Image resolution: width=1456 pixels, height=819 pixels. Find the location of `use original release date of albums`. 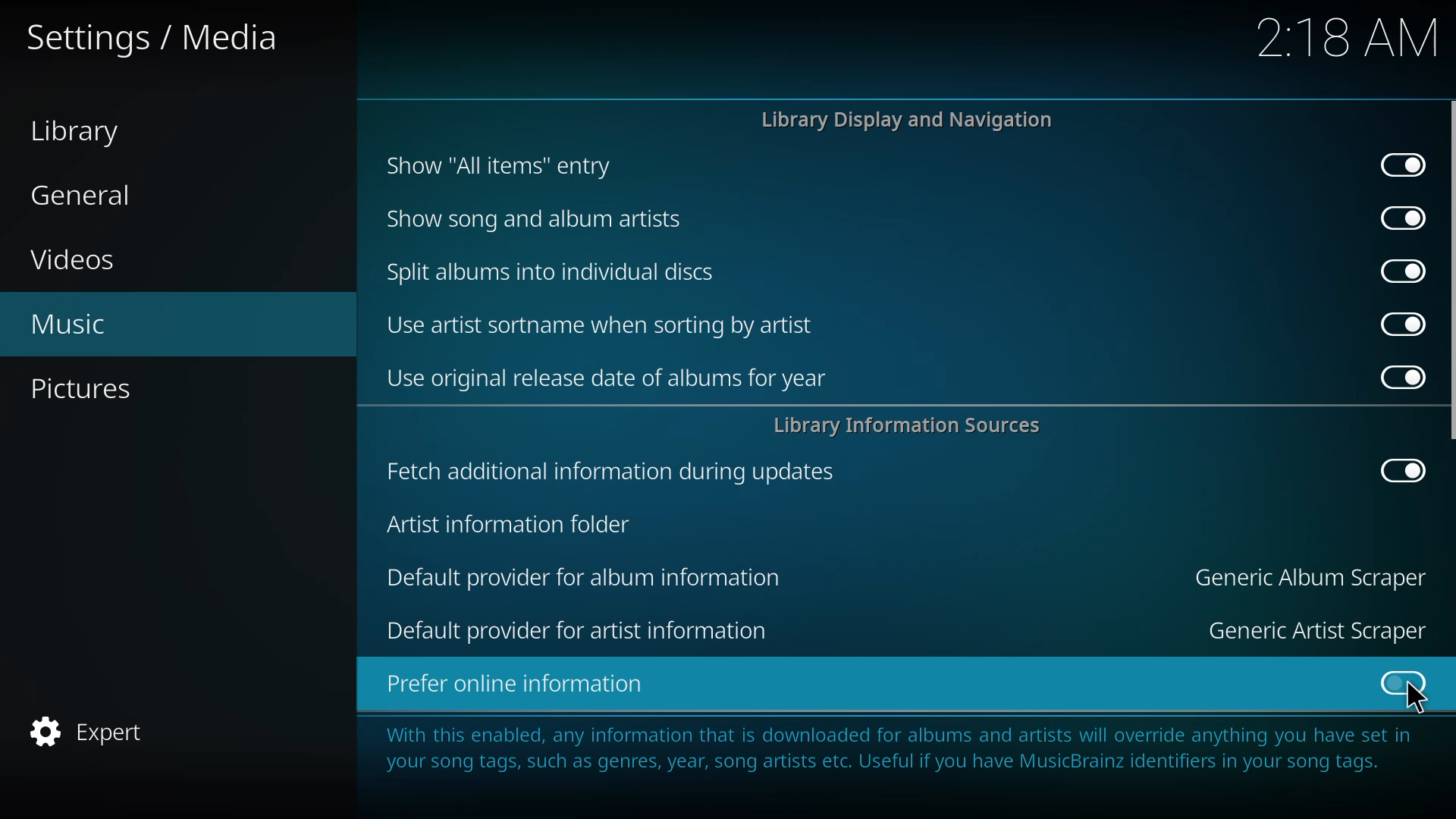

use original release date of albums is located at coordinates (614, 378).